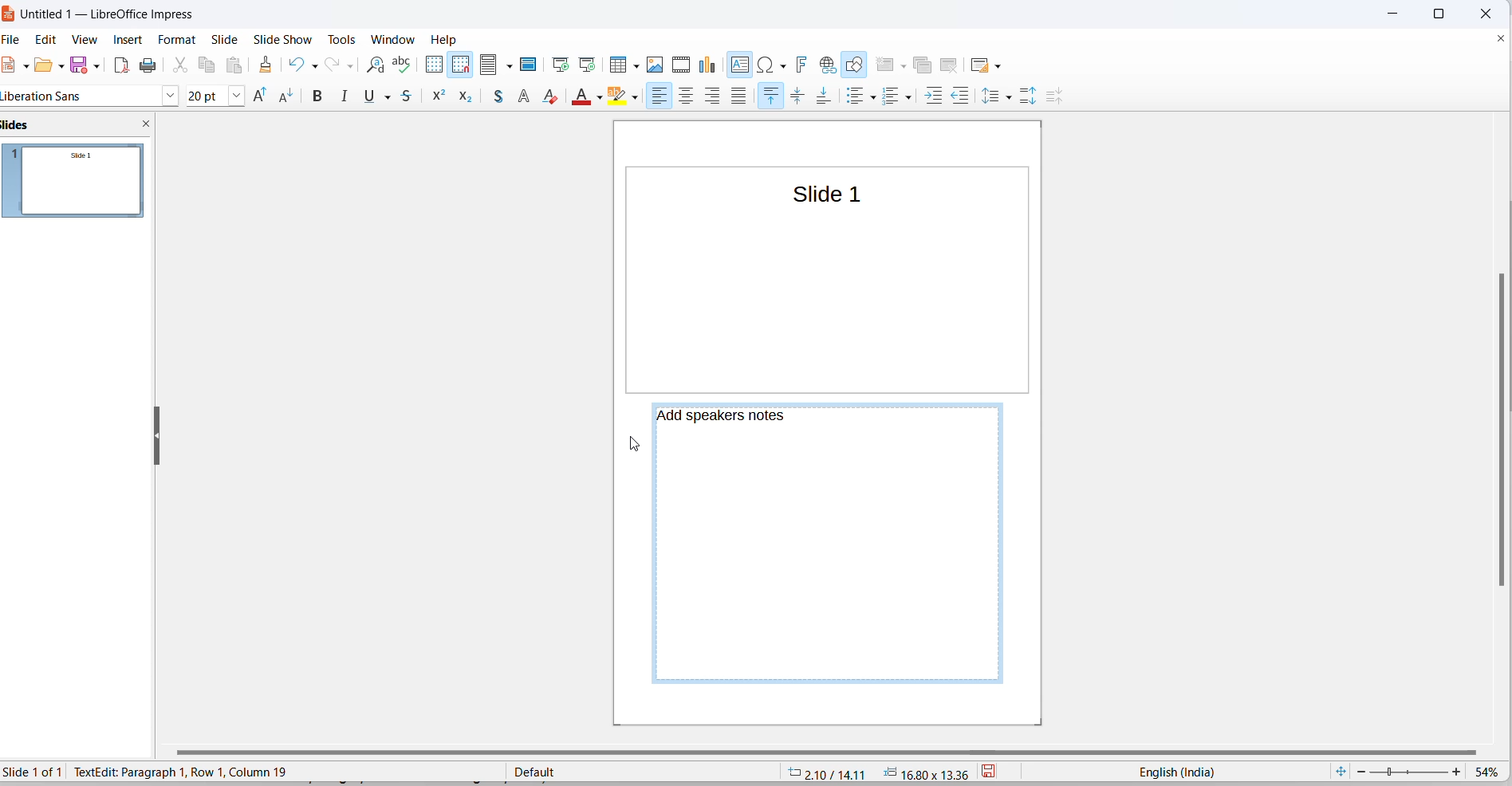 The height and width of the screenshot is (786, 1512). What do you see at coordinates (675, 96) in the screenshot?
I see `arrange options` at bounding box center [675, 96].